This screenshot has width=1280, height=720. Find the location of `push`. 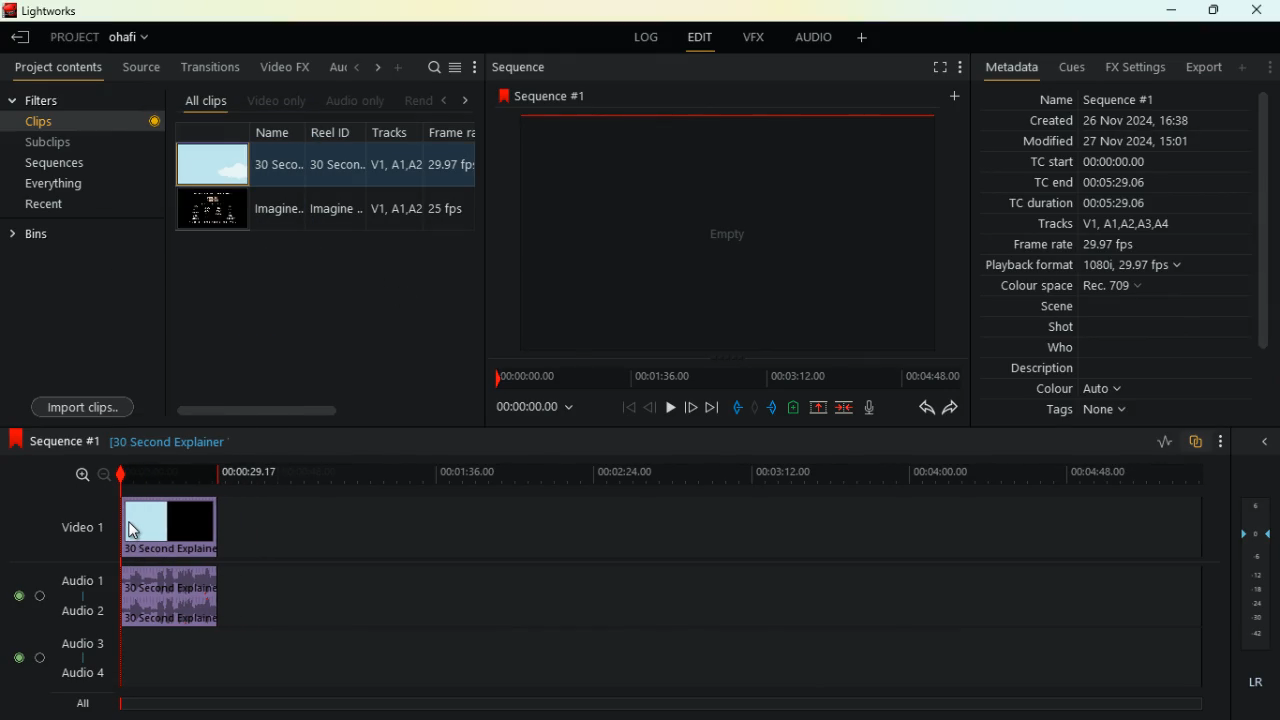

push is located at coordinates (773, 407).